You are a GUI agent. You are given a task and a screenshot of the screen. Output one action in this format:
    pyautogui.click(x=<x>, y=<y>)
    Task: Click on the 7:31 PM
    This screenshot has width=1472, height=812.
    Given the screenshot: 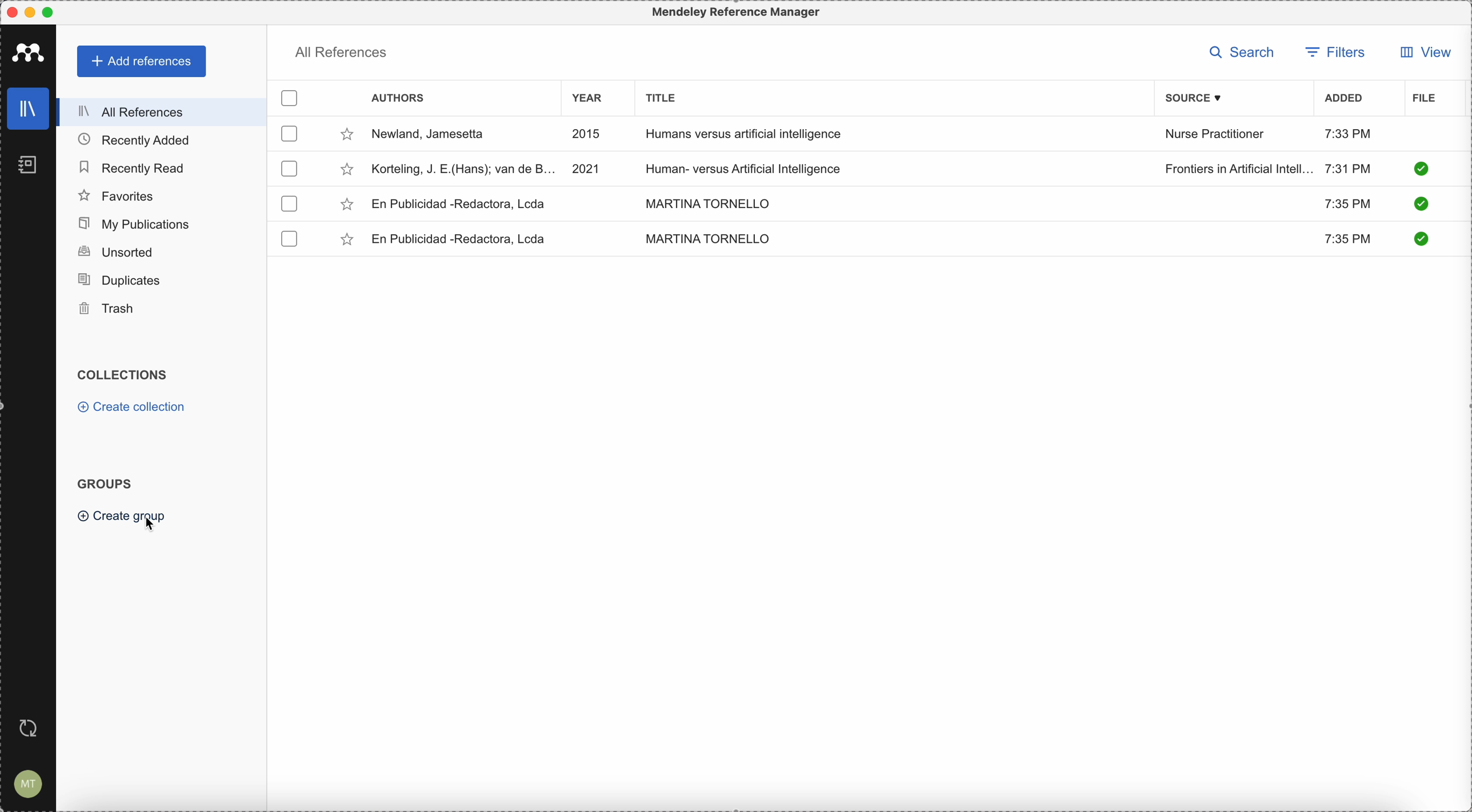 What is the action you would take?
    pyautogui.click(x=1348, y=167)
    